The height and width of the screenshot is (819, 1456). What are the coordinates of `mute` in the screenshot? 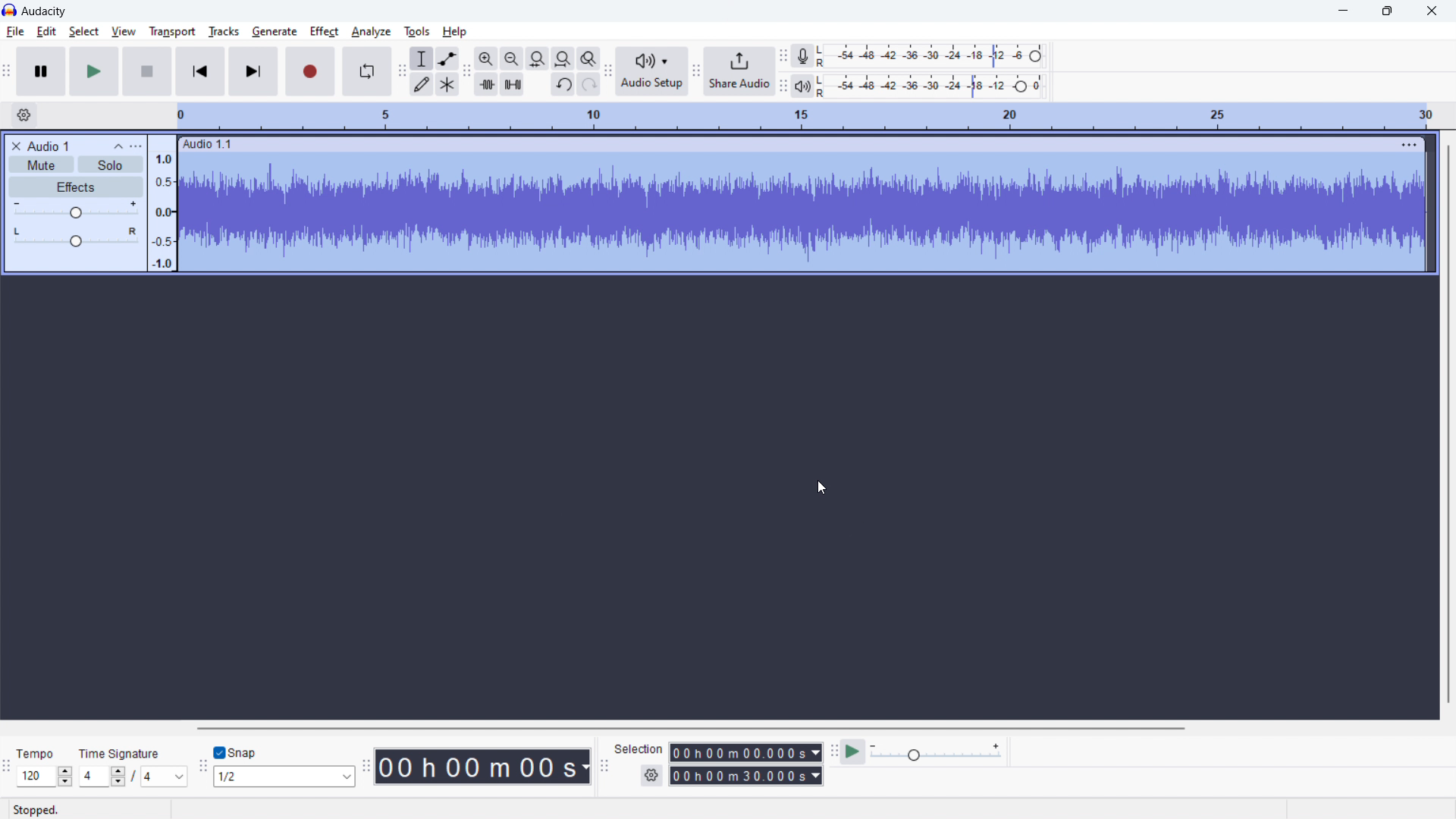 It's located at (41, 165).